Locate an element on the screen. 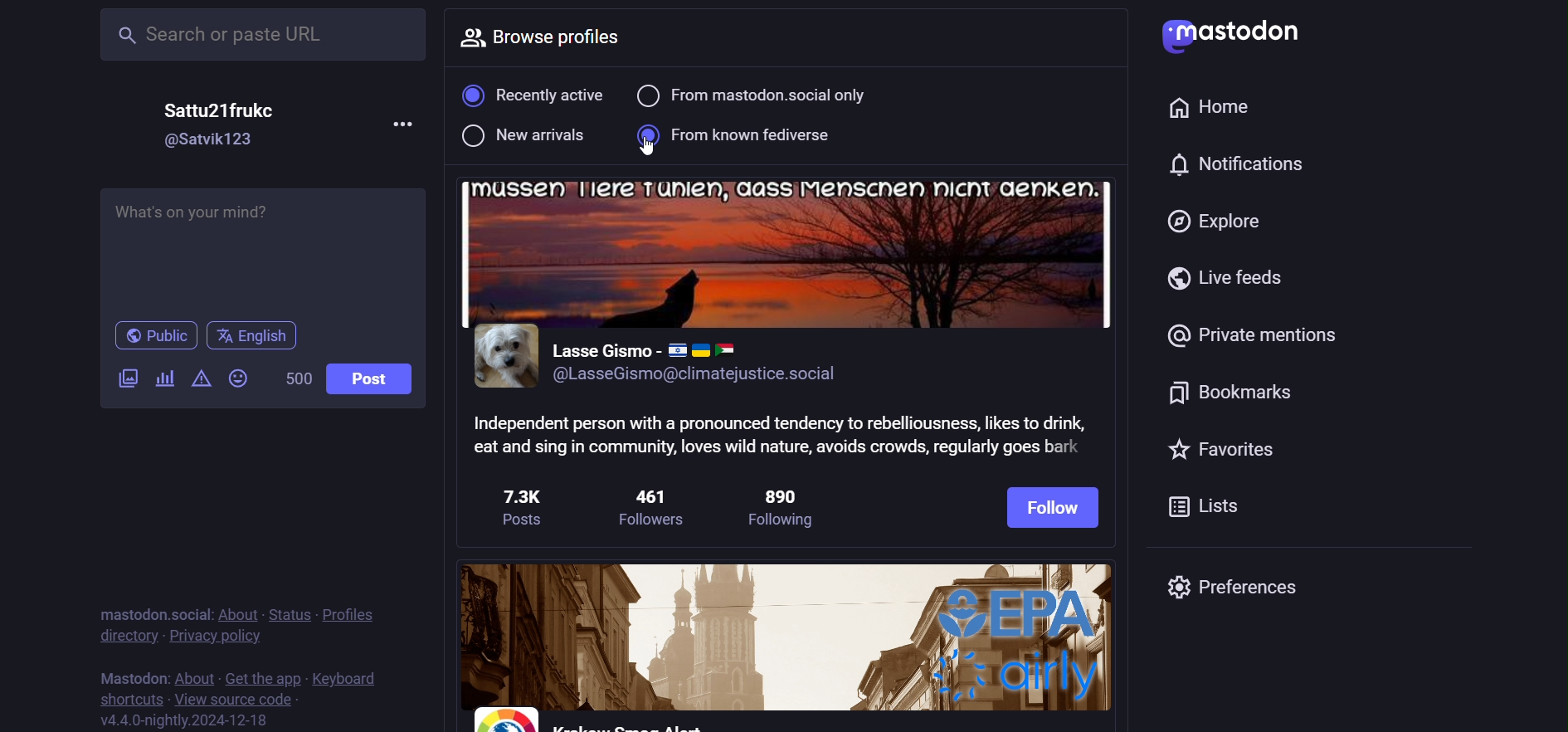 The height and width of the screenshot is (732, 1568). directory is located at coordinates (124, 632).